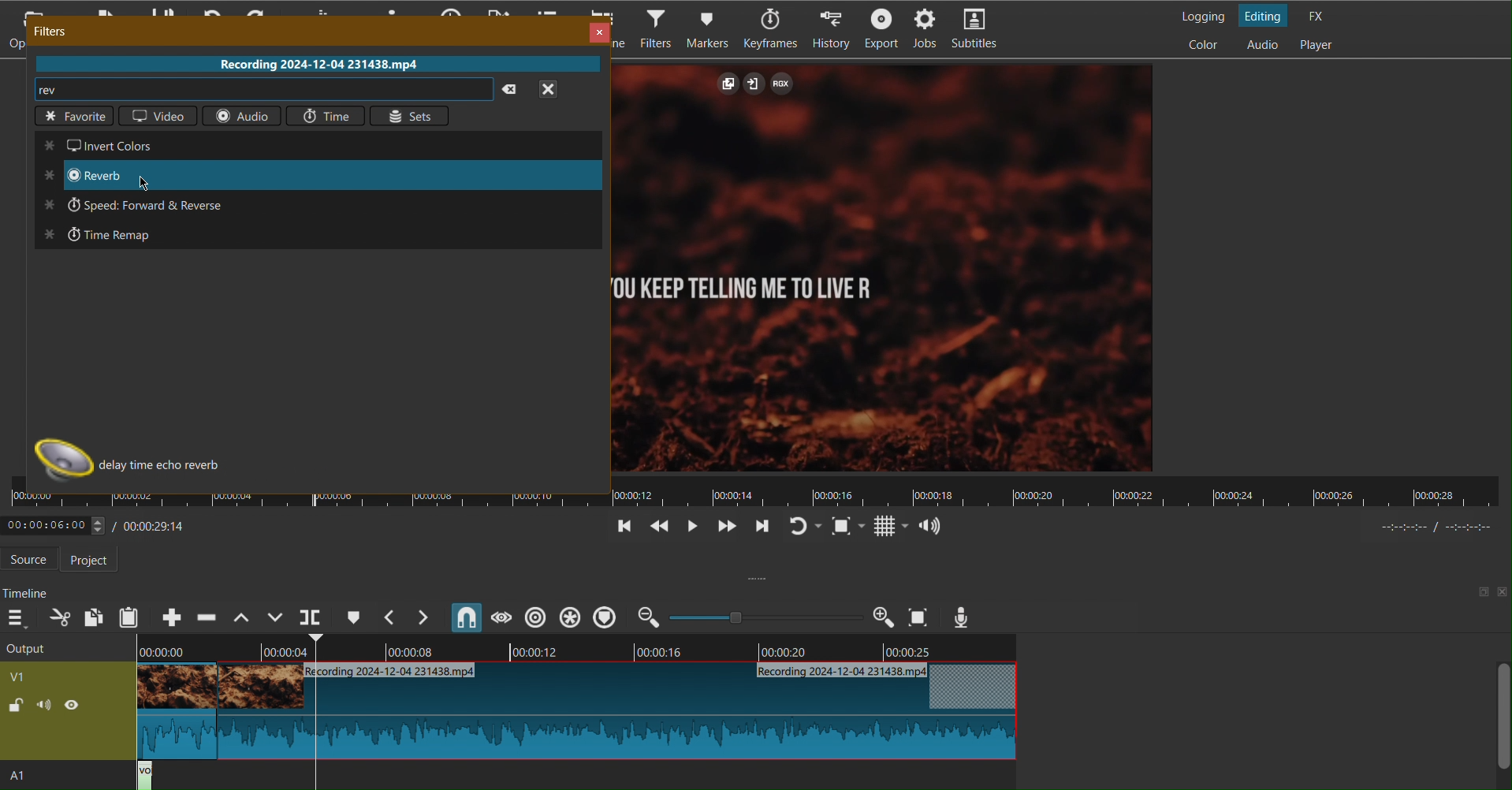 The image size is (1512, 790). Describe the element at coordinates (353, 617) in the screenshot. I see `Cue` at that location.